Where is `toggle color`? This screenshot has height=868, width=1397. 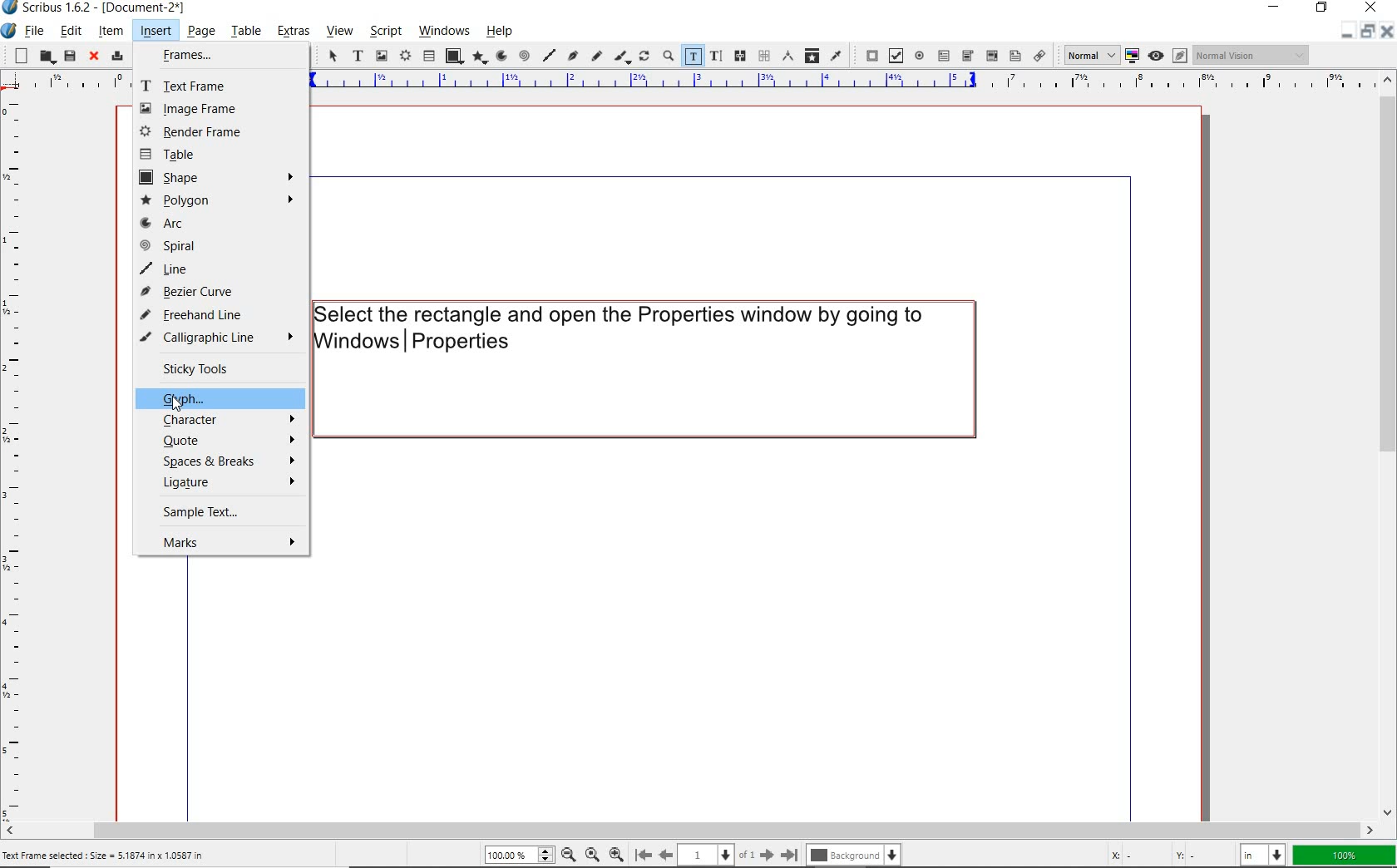 toggle color is located at coordinates (1131, 56).